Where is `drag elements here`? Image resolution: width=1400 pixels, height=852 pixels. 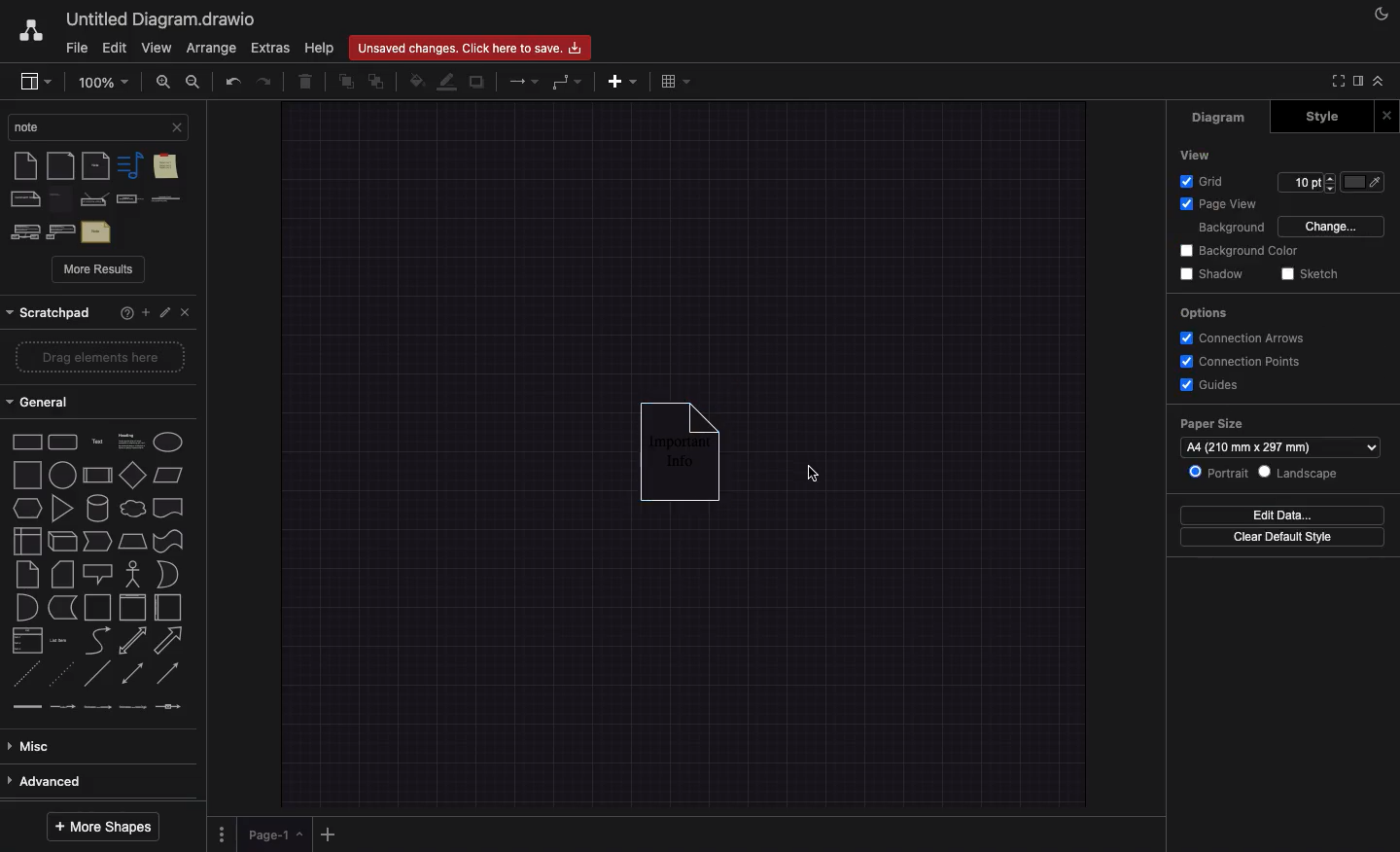 drag elements here is located at coordinates (96, 358).